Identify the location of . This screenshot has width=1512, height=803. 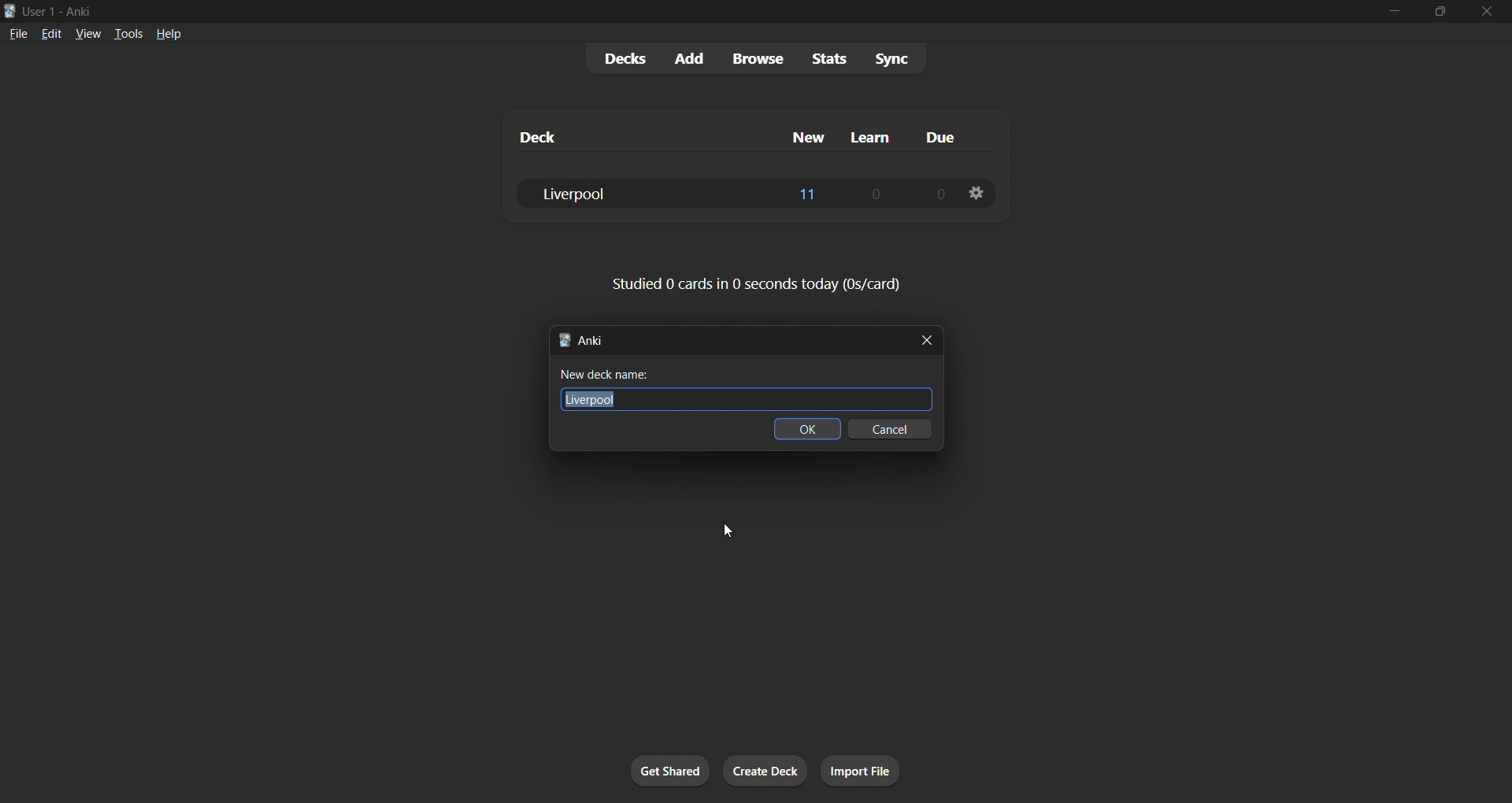
(891, 56).